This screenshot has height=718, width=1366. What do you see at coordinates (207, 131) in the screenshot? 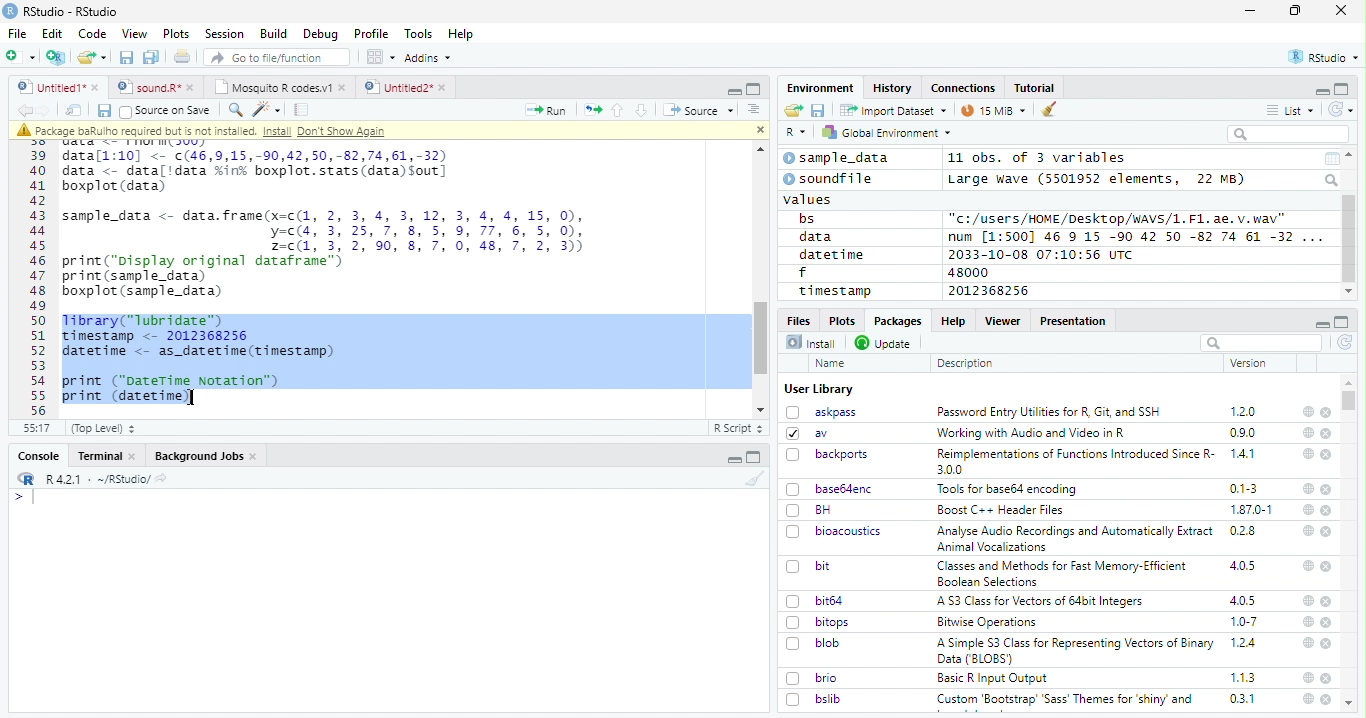
I see `package baRulho required but is not installed. Intall Don't show again.` at bounding box center [207, 131].